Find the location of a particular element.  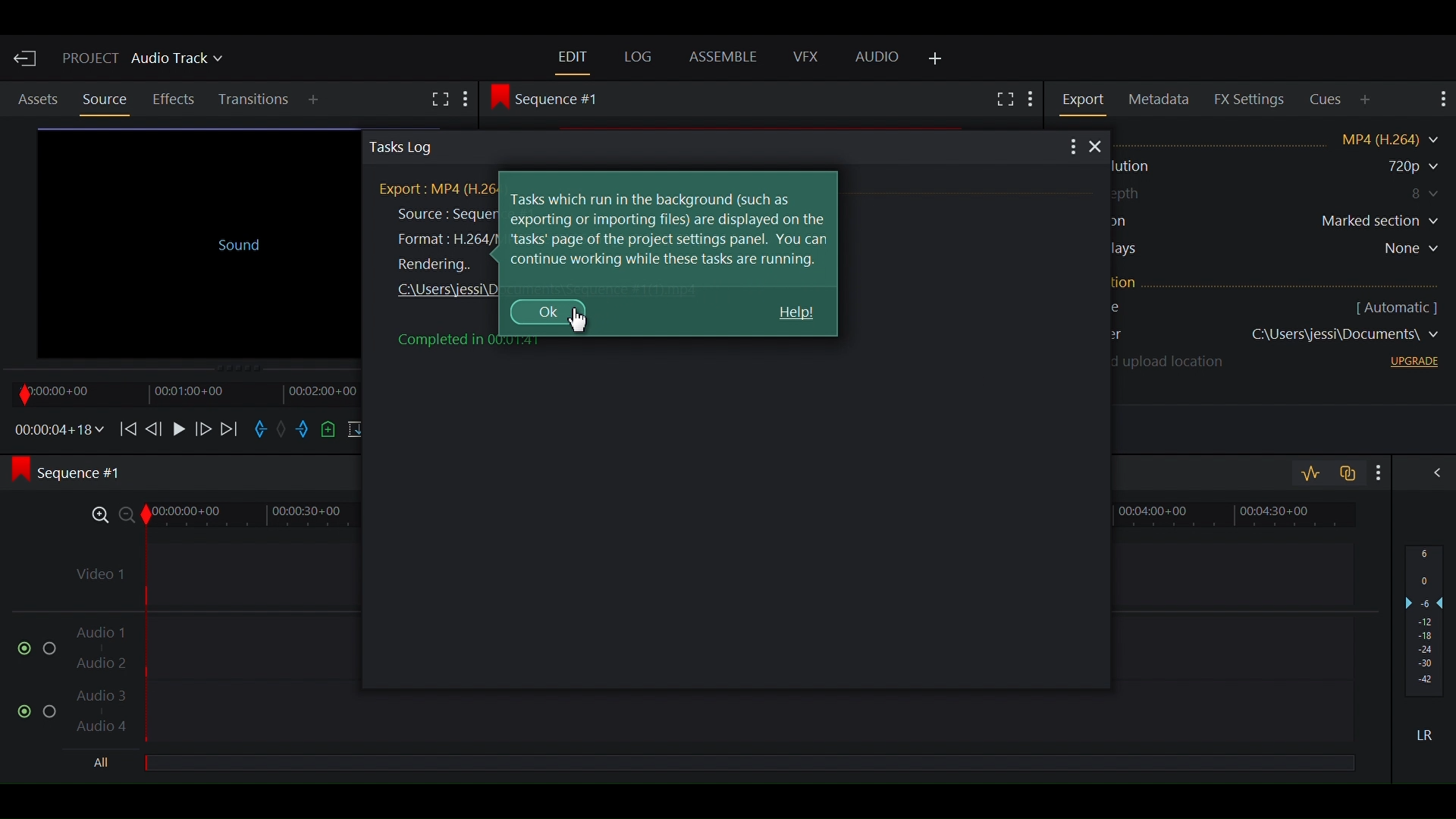

Toggle audio editing levels is located at coordinates (1310, 474).